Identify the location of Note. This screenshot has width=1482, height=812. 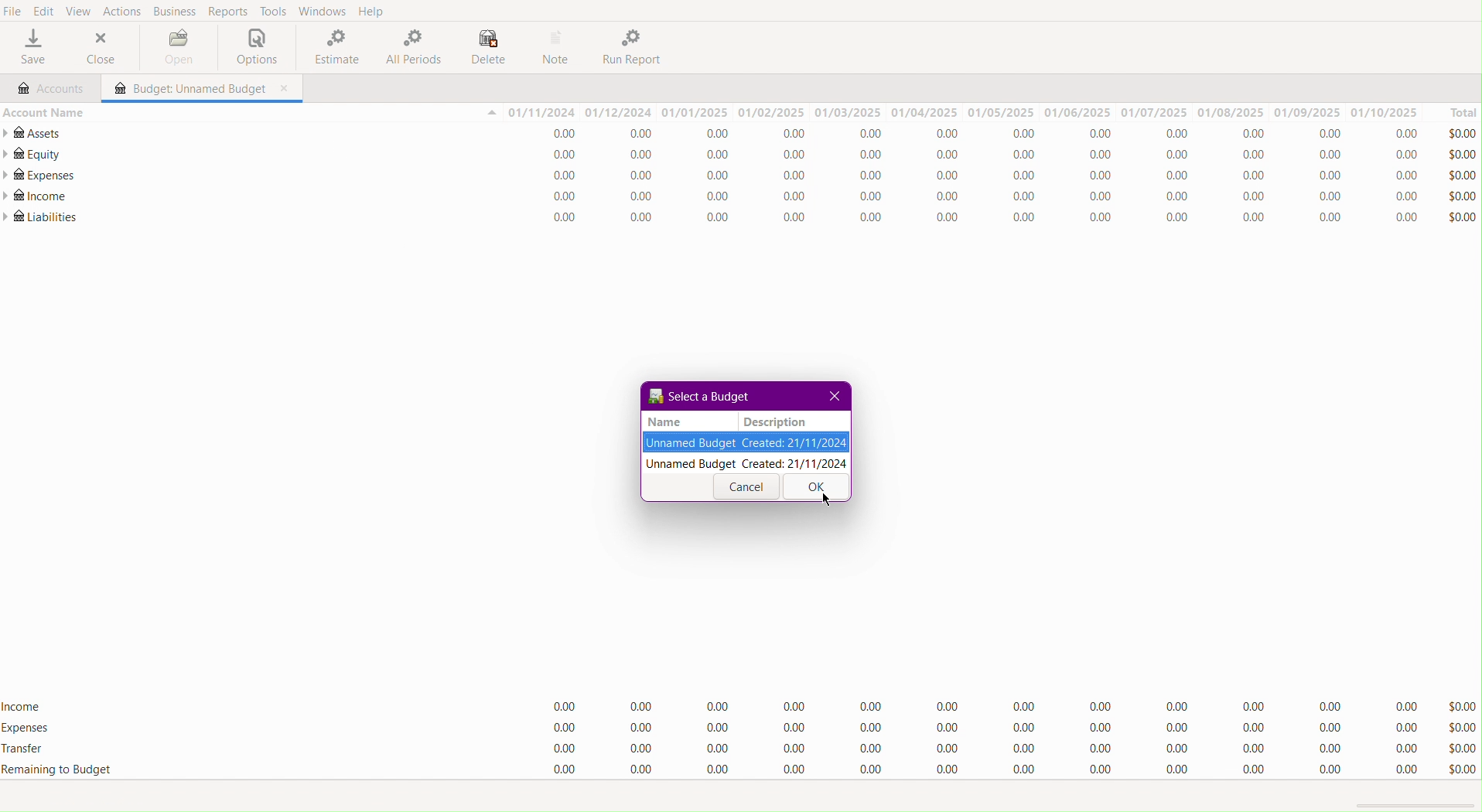
(559, 47).